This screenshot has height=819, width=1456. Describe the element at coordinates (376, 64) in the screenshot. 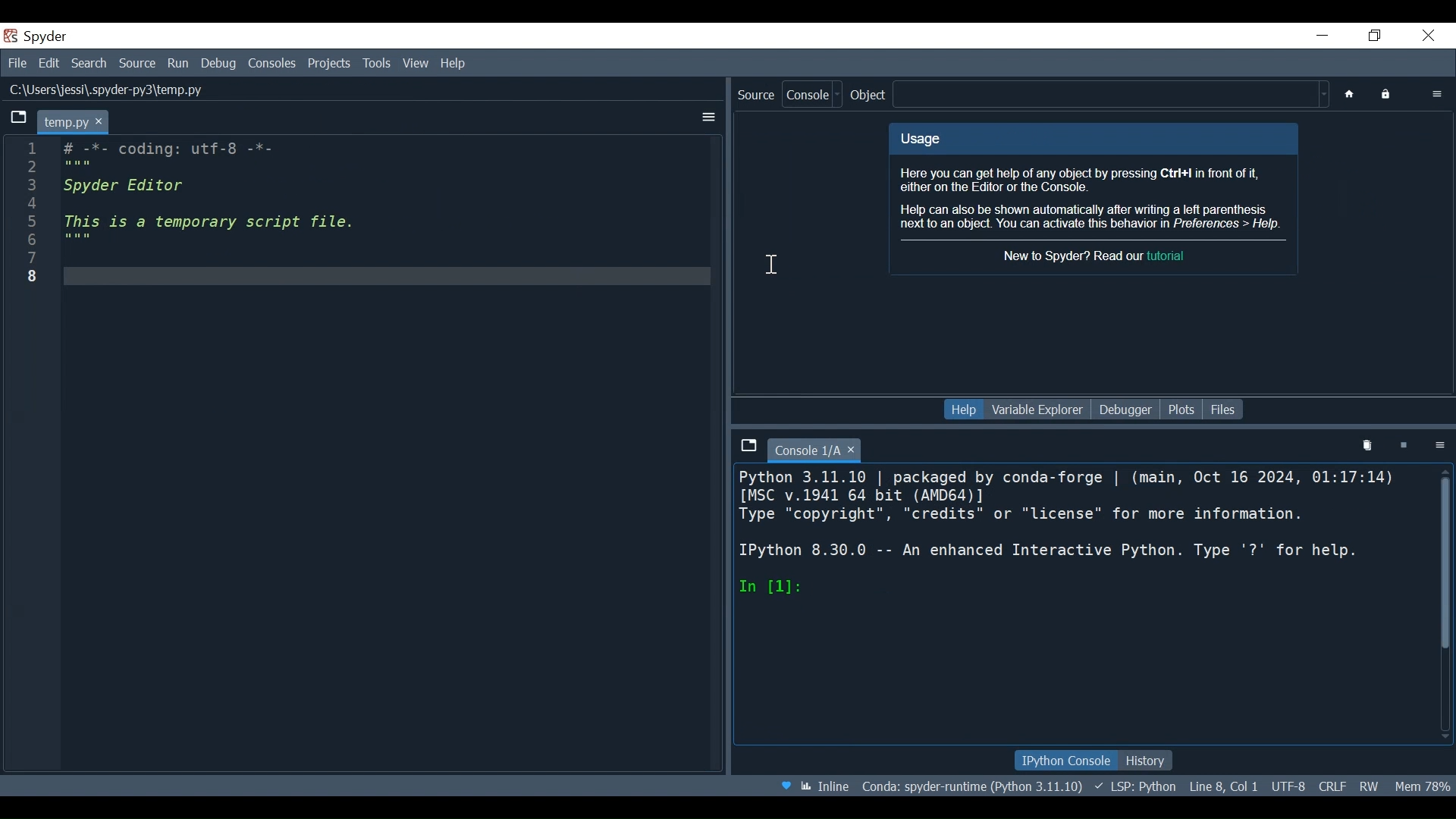

I see `Tools` at that location.